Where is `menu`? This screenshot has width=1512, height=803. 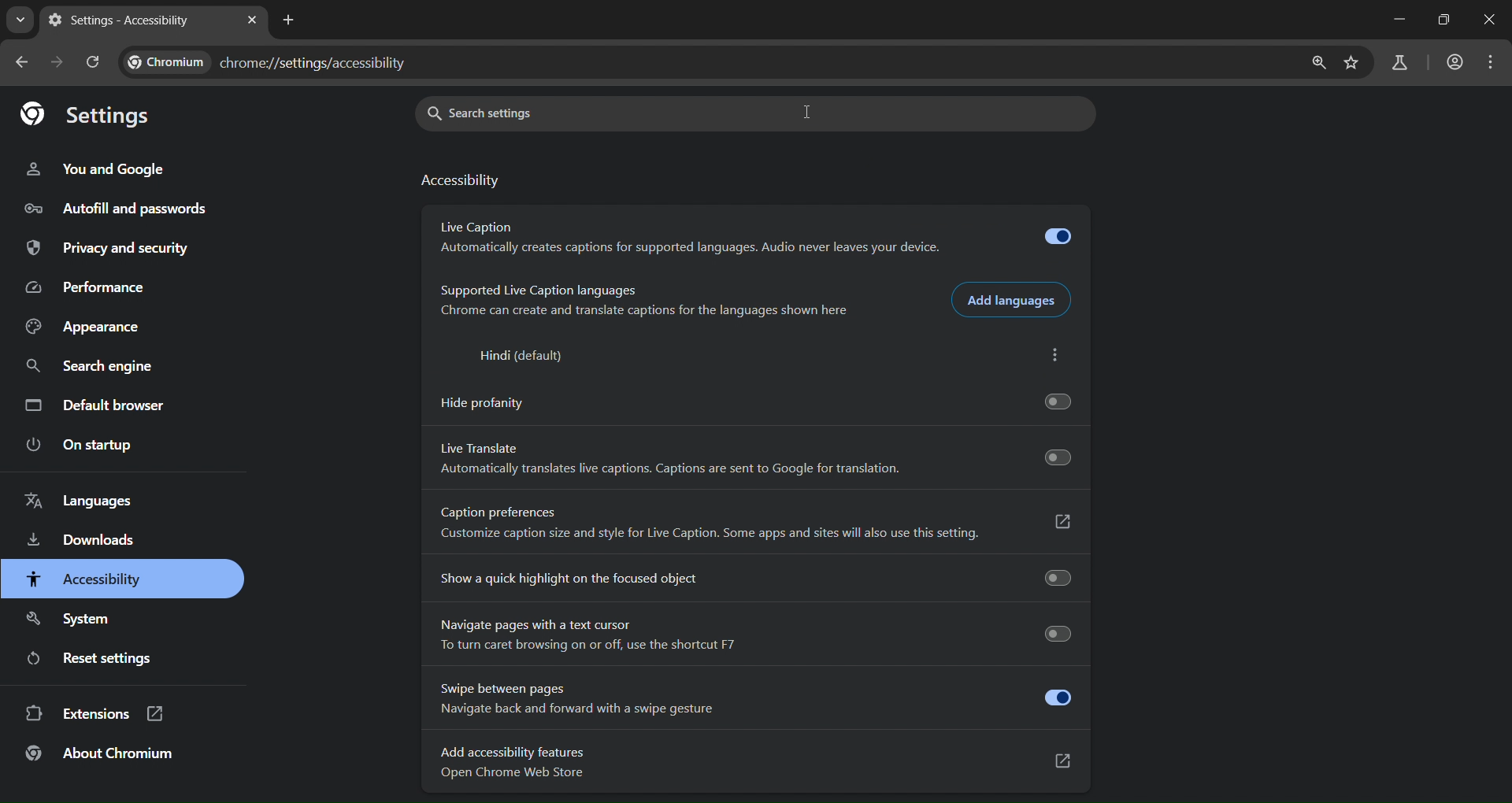 menu is located at coordinates (1490, 62).